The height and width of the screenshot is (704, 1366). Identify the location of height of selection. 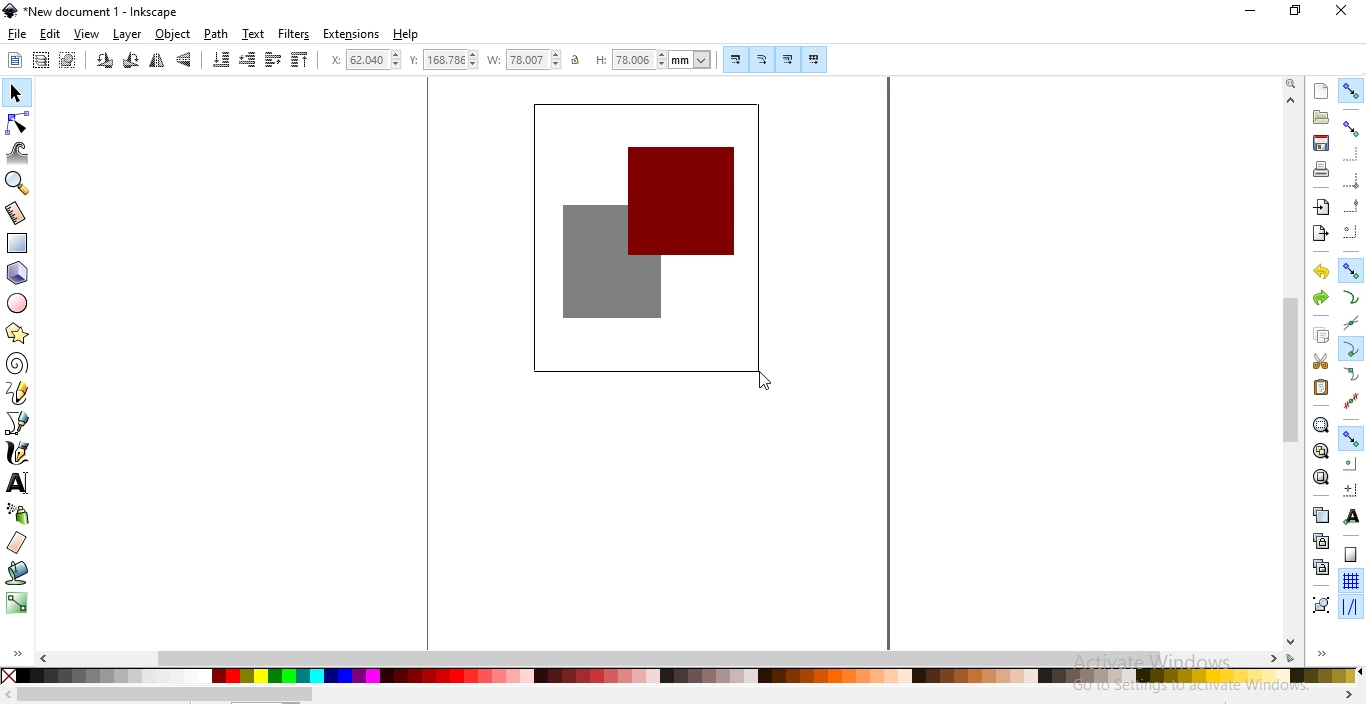
(656, 59).